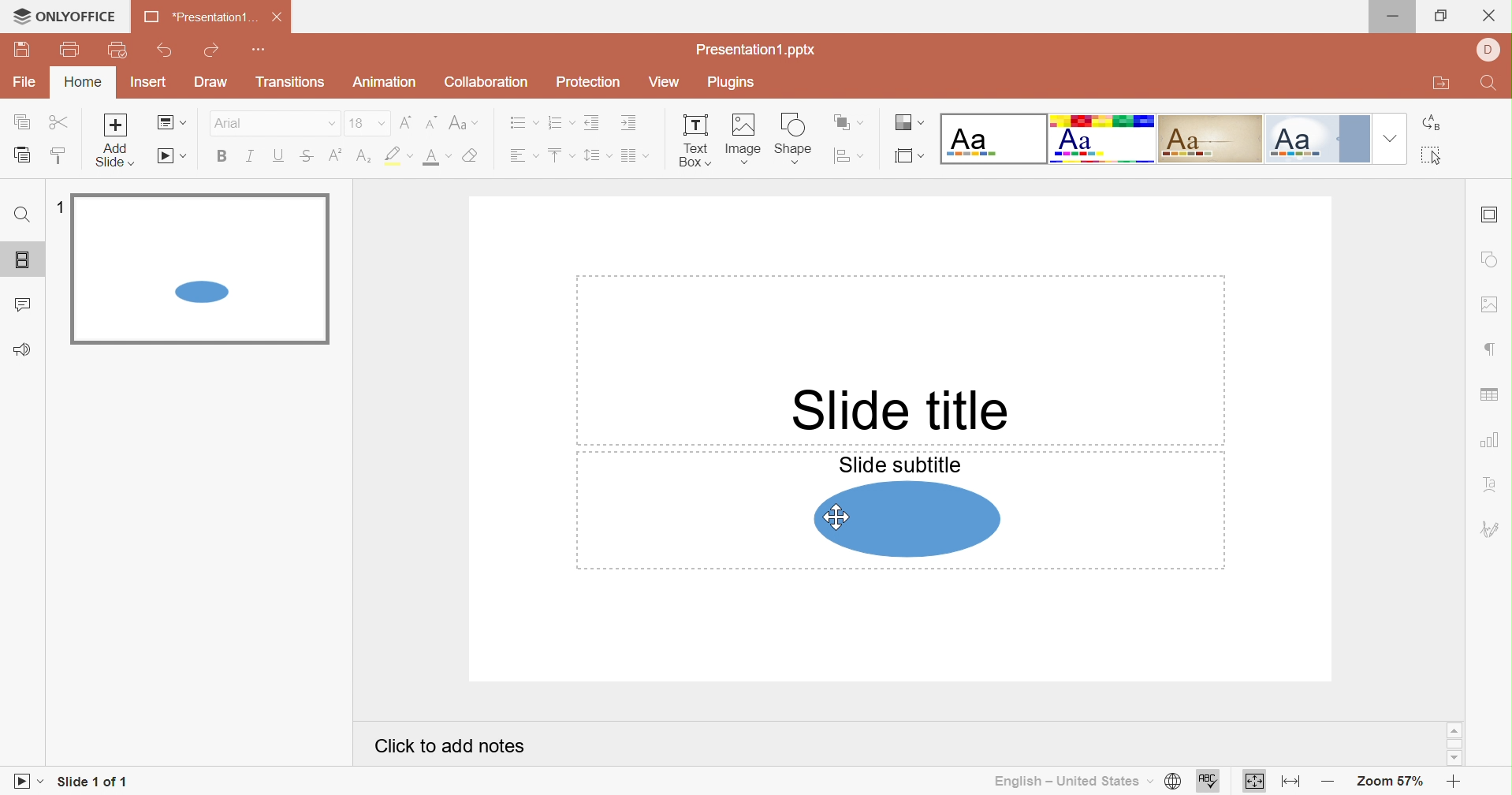  Describe the element at coordinates (1489, 85) in the screenshot. I see `Find` at that location.